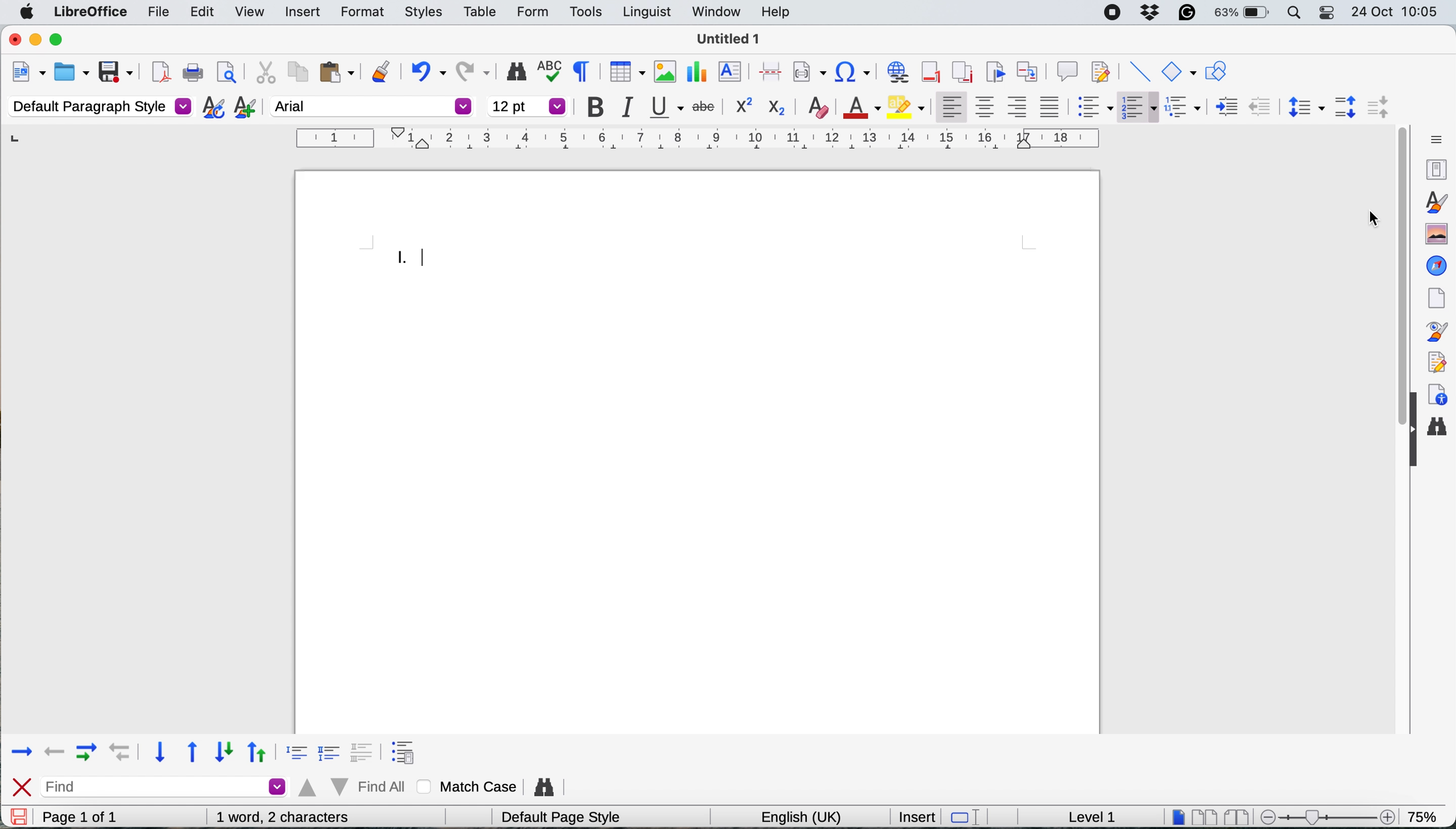 This screenshot has height=829, width=1456. Describe the element at coordinates (59, 40) in the screenshot. I see `maximise` at that location.